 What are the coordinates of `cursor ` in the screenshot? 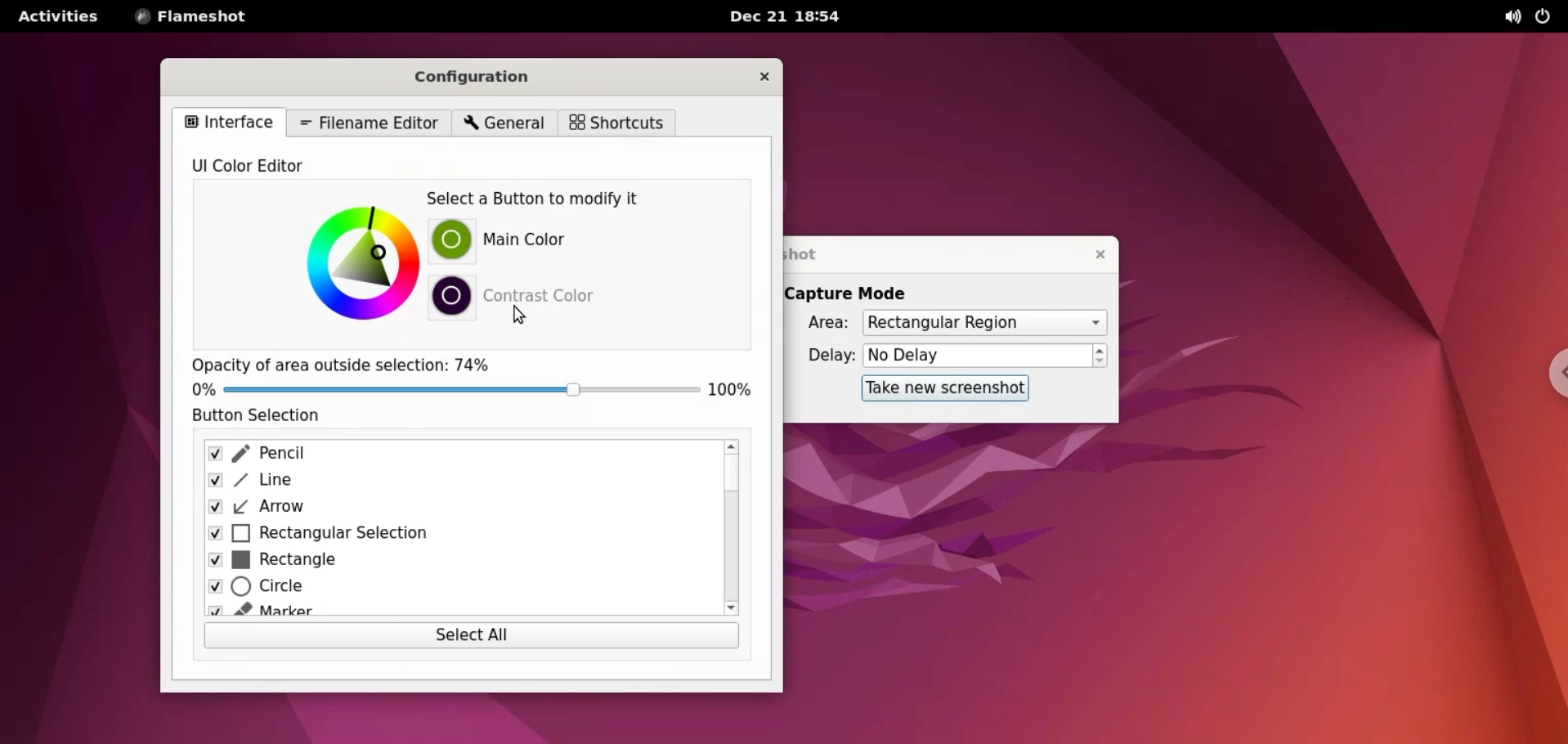 It's located at (521, 316).